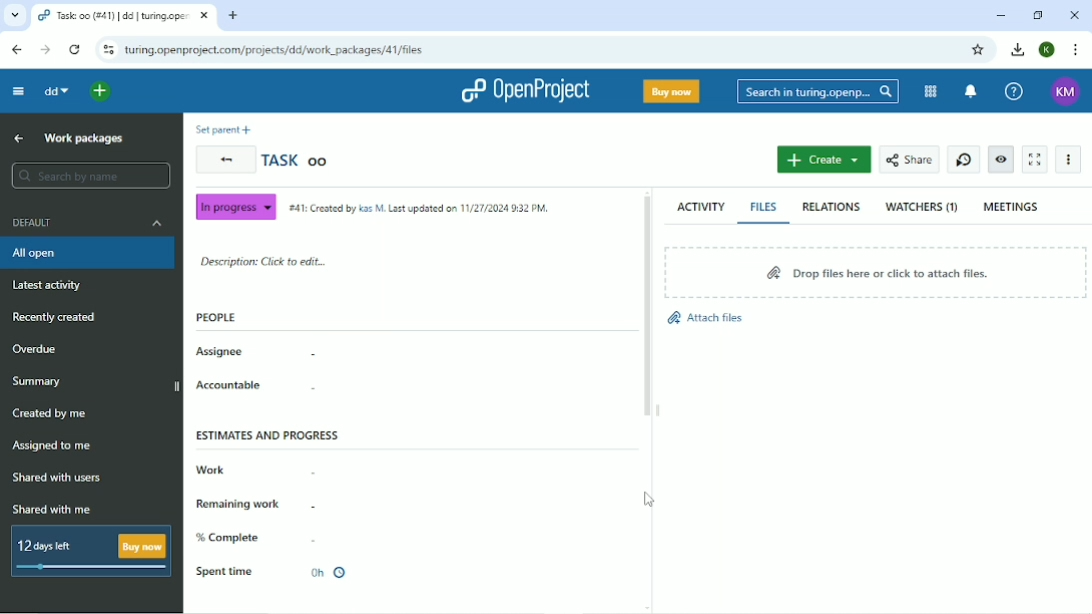 The image size is (1092, 614). What do you see at coordinates (972, 91) in the screenshot?
I see `To notification center` at bounding box center [972, 91].